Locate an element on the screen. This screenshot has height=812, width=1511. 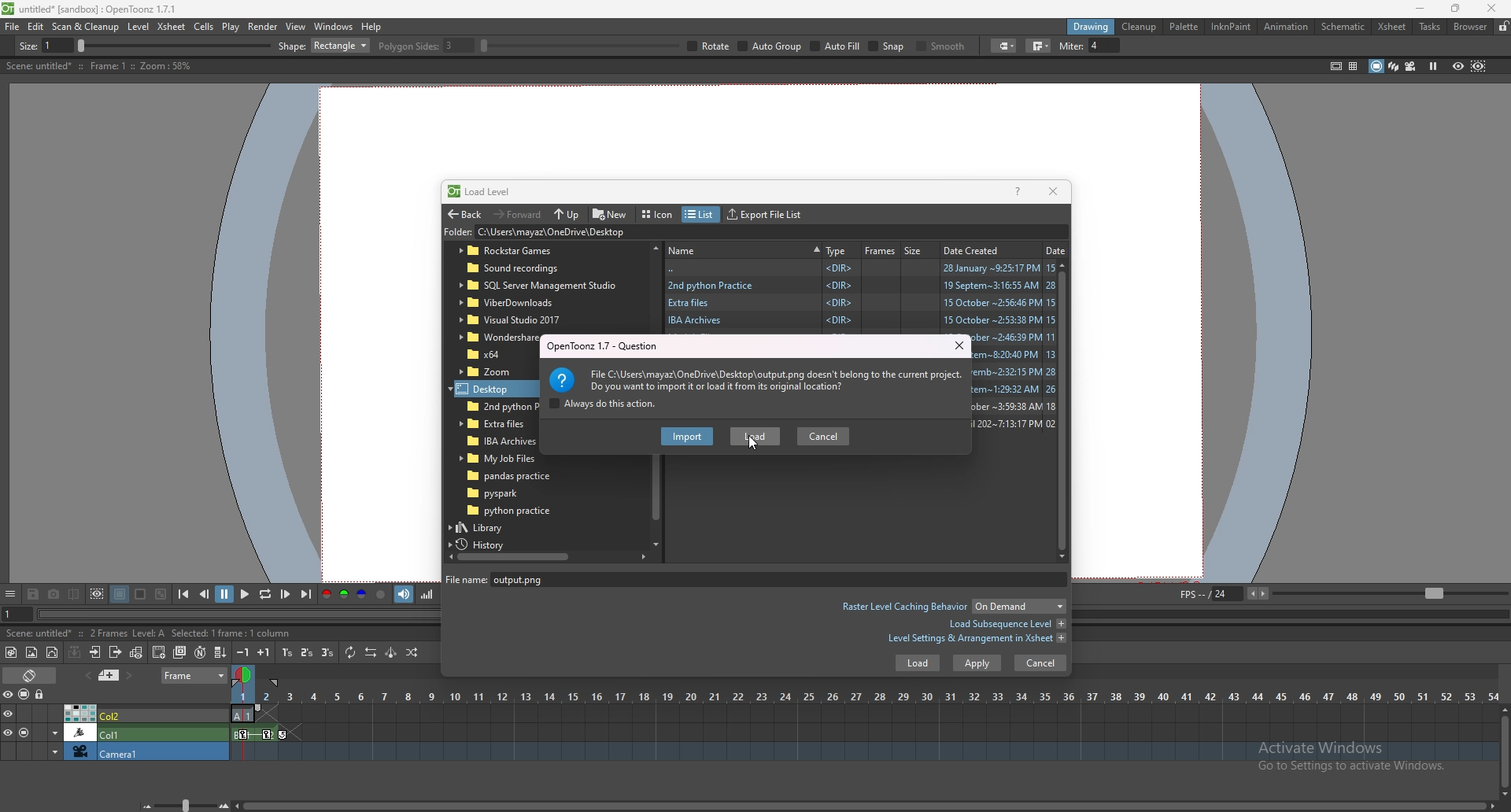
ploygon slides is located at coordinates (742, 46).